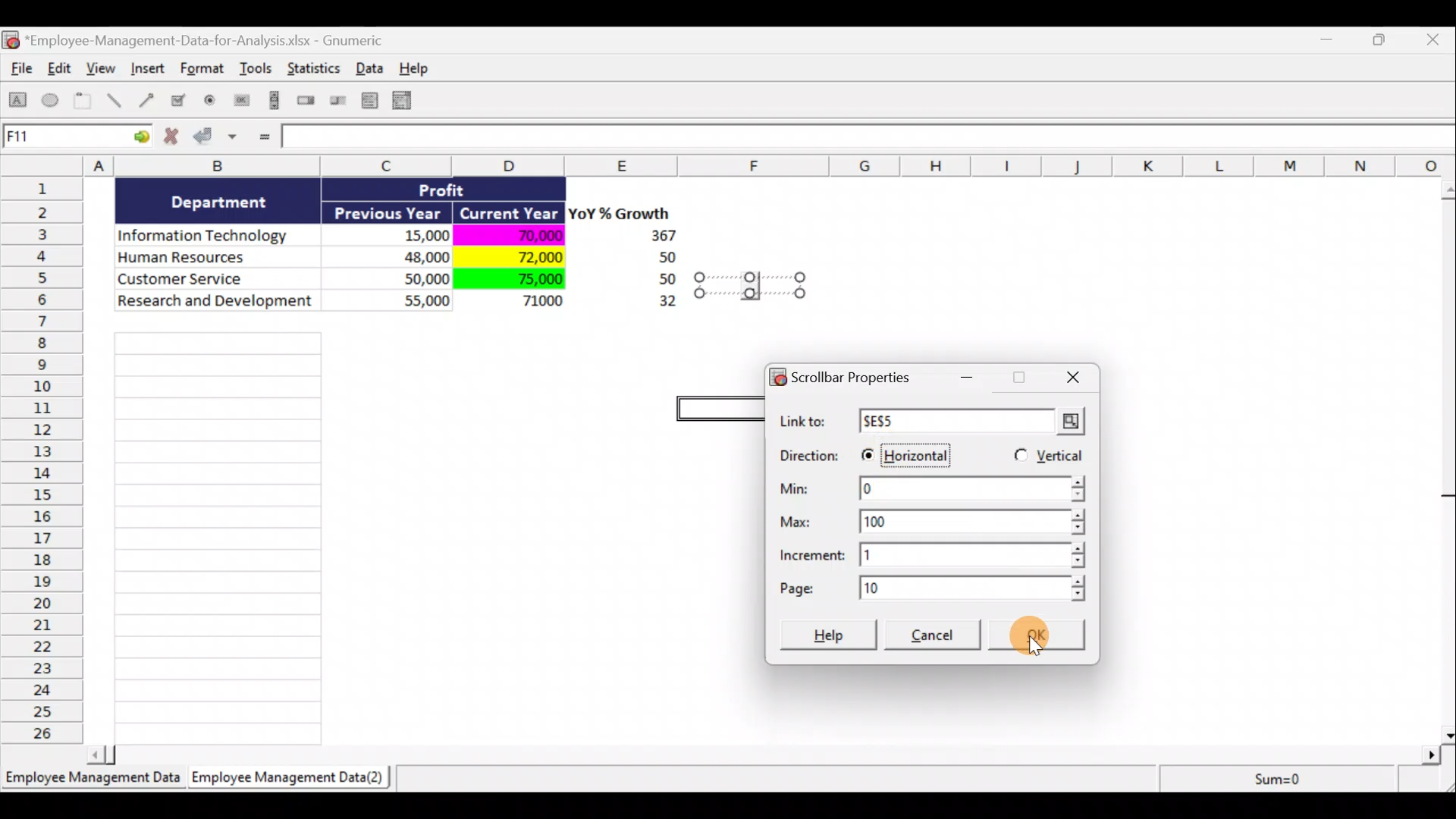  Describe the element at coordinates (1043, 645) in the screenshot. I see `Cursor` at that location.